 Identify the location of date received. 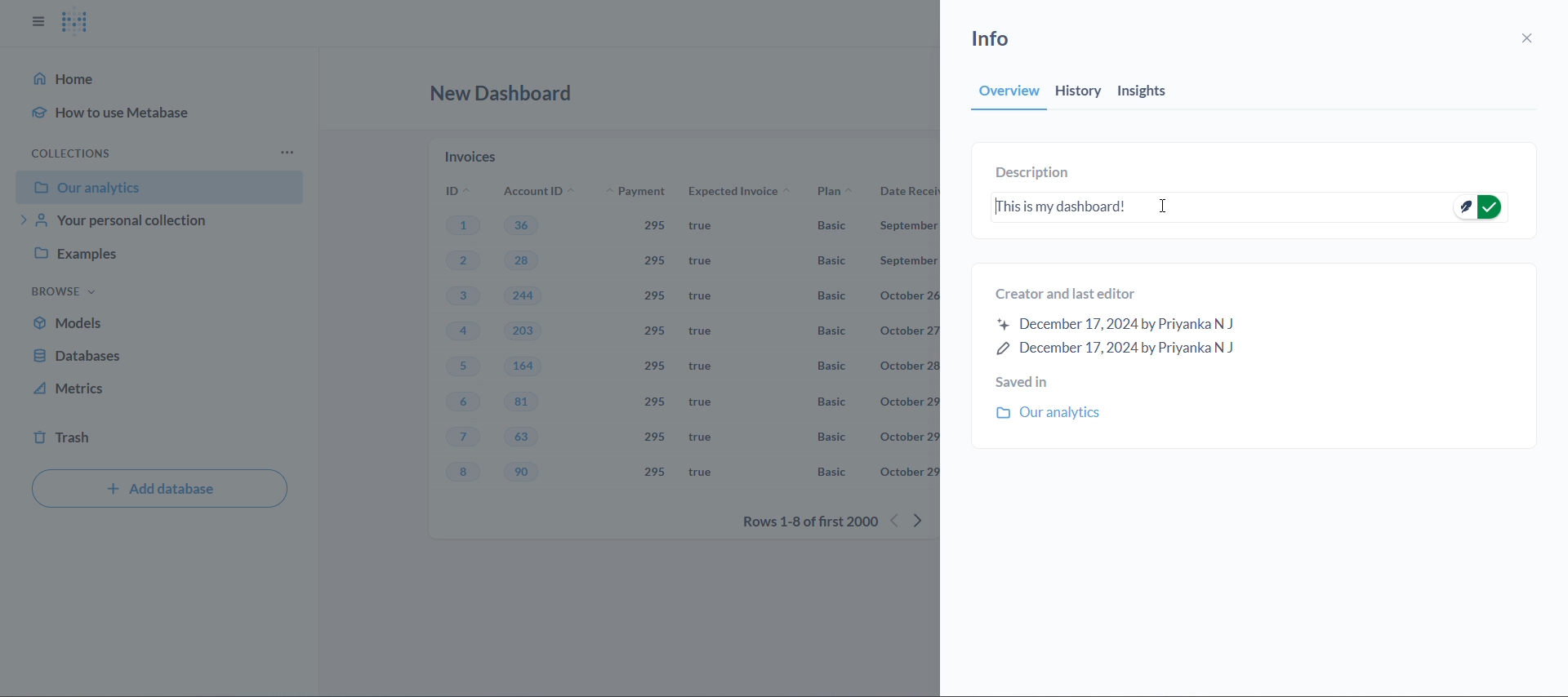
(904, 194).